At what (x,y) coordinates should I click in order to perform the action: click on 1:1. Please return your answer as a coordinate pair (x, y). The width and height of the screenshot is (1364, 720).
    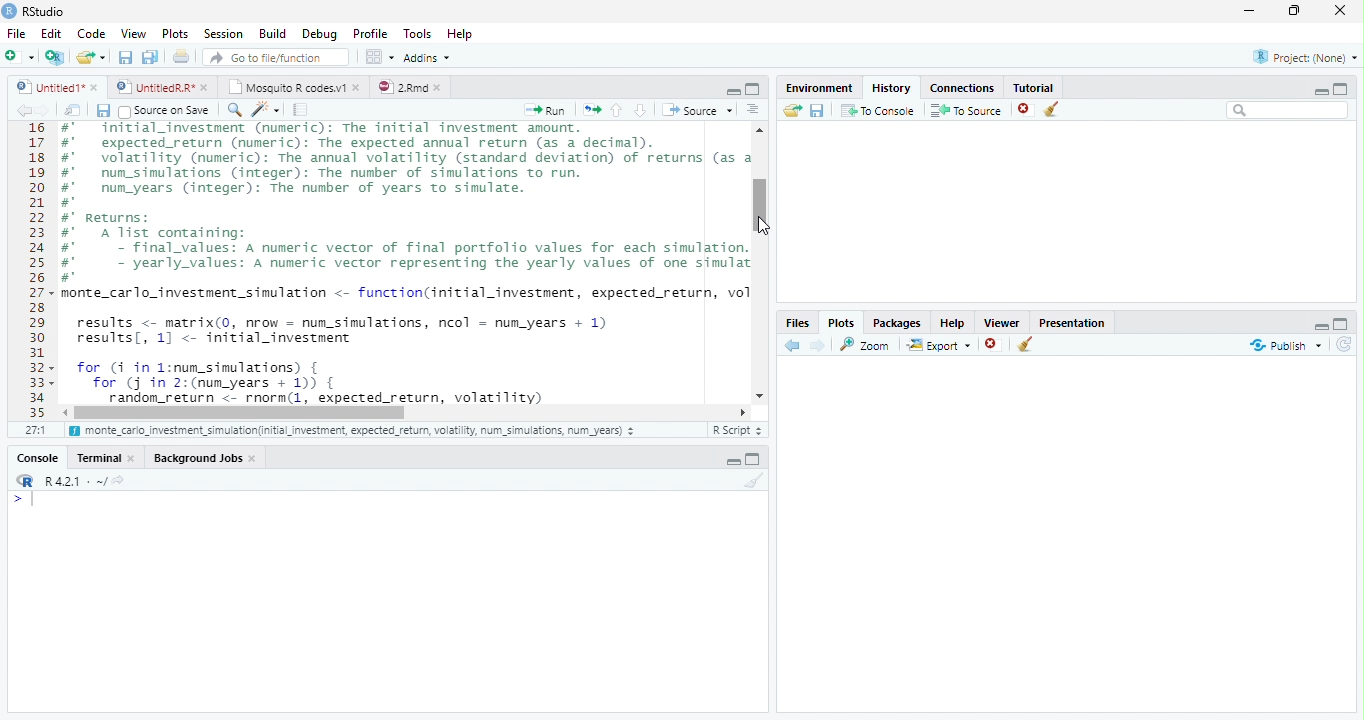
    Looking at the image, I should click on (34, 430).